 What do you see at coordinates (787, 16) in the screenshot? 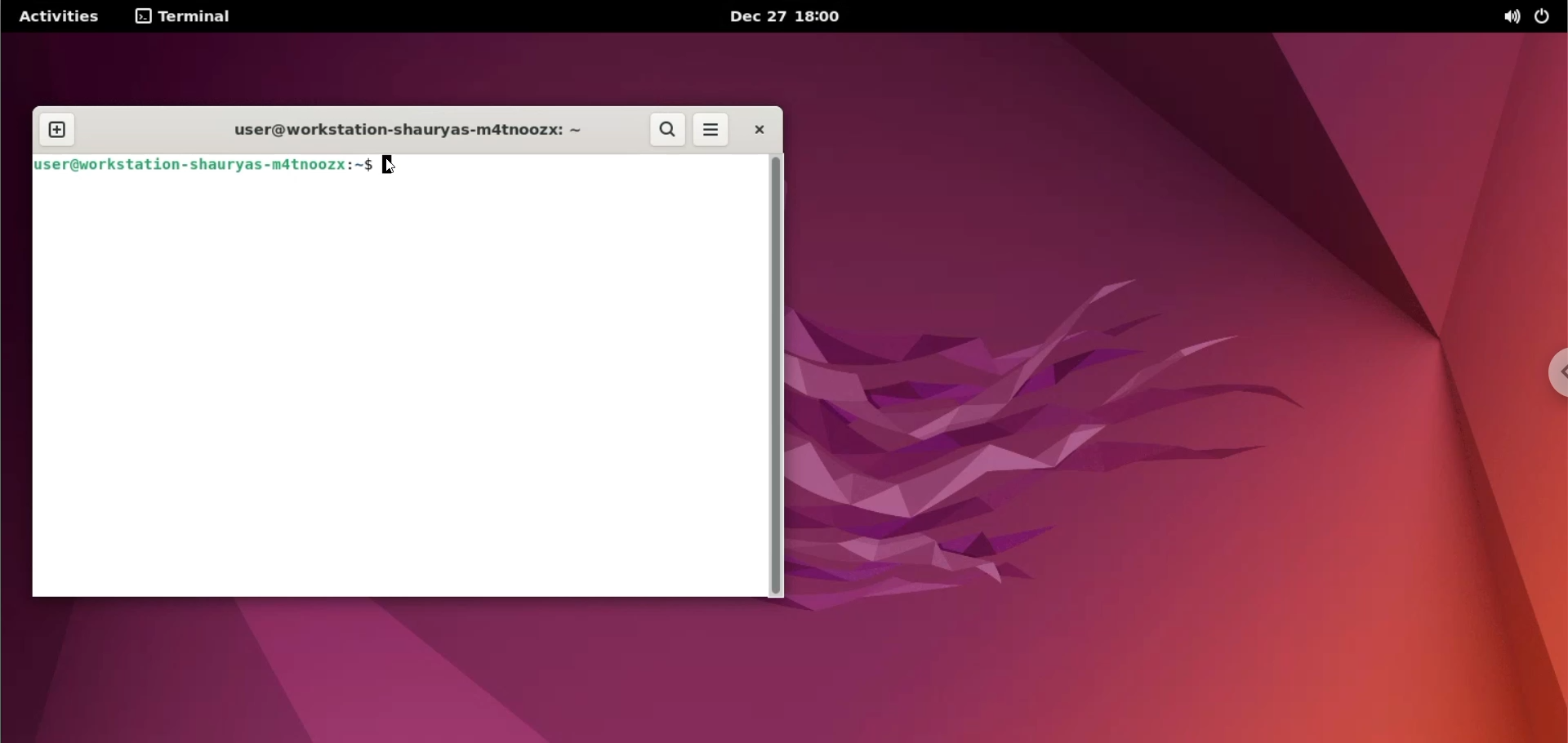
I see ` Dec 27 18:00` at bounding box center [787, 16].